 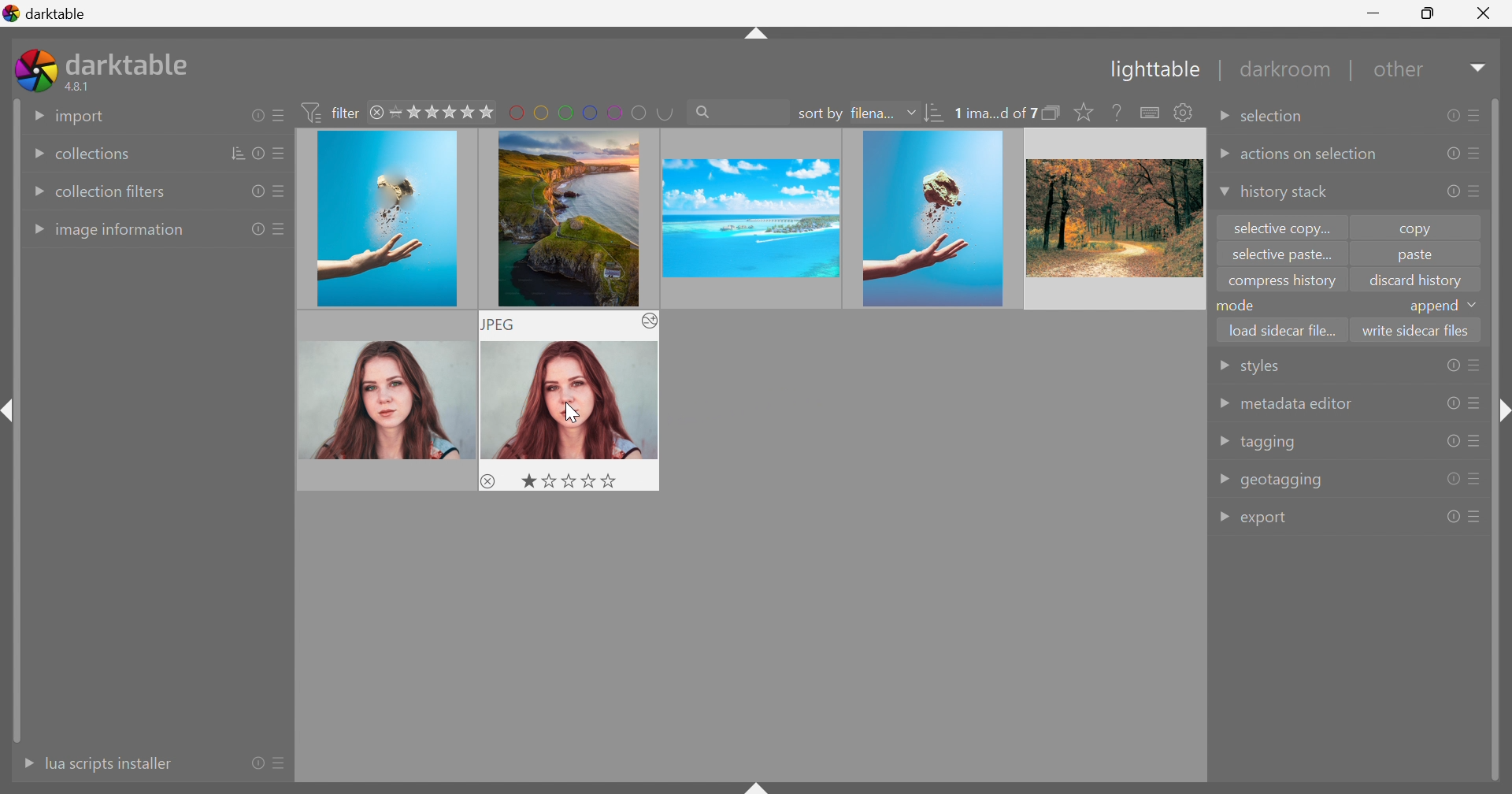 I want to click on reset, so click(x=261, y=153).